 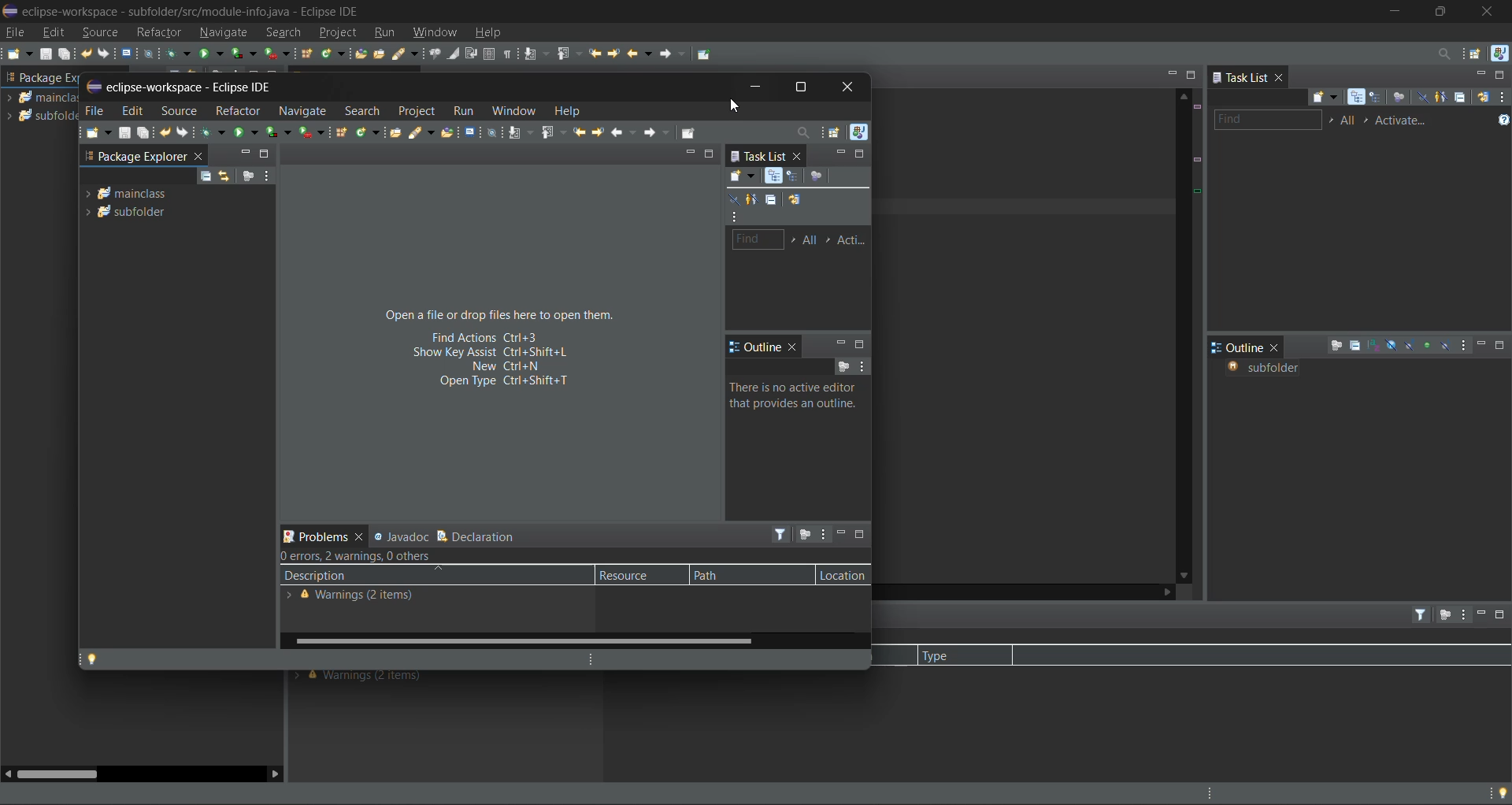 I want to click on save all, so click(x=144, y=134).